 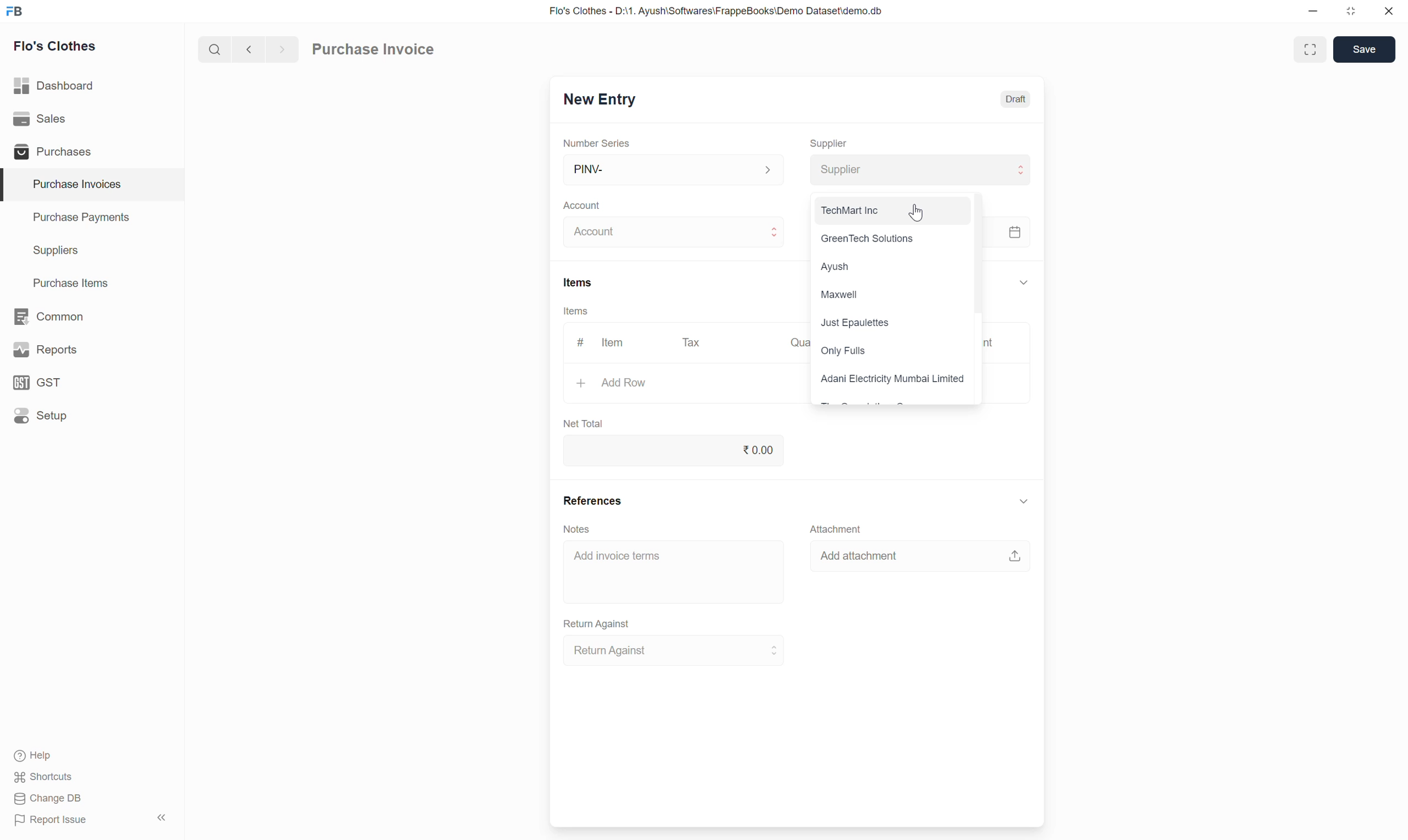 I want to click on Supplier, so click(x=829, y=144).